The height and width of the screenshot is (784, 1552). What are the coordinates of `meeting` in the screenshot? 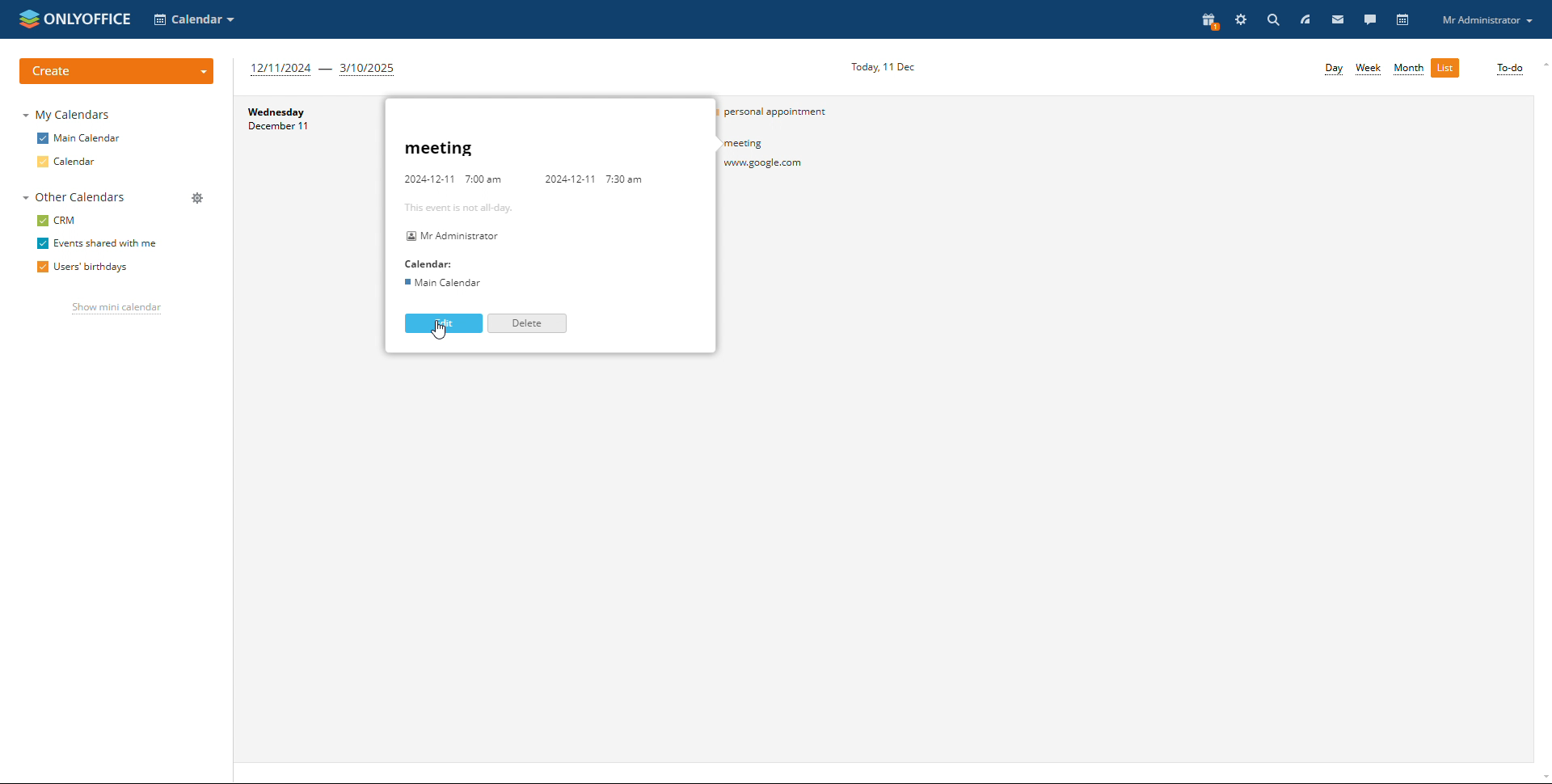 It's located at (792, 156).